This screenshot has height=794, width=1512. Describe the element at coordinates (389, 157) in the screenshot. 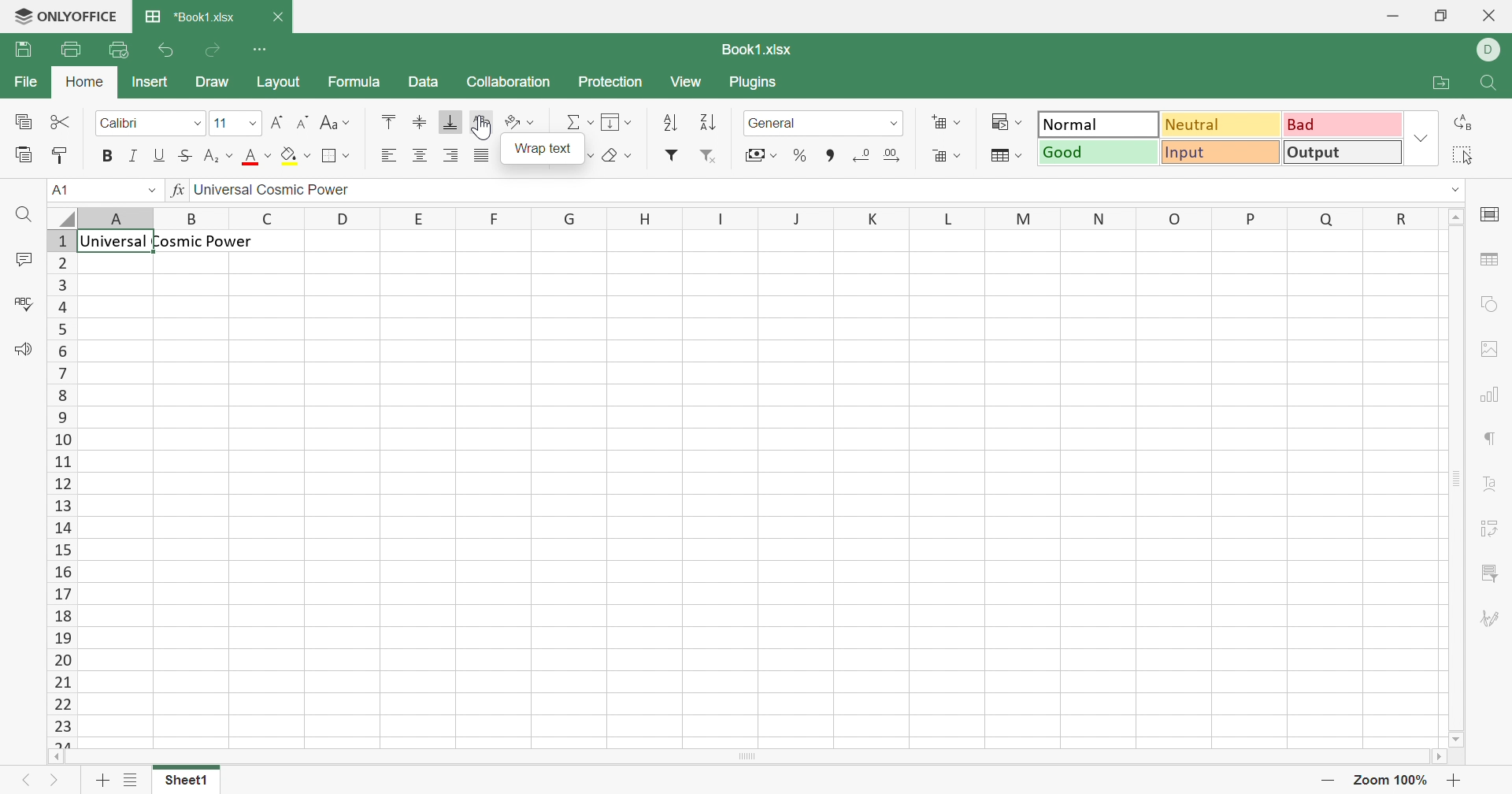

I see `Align Right` at that location.